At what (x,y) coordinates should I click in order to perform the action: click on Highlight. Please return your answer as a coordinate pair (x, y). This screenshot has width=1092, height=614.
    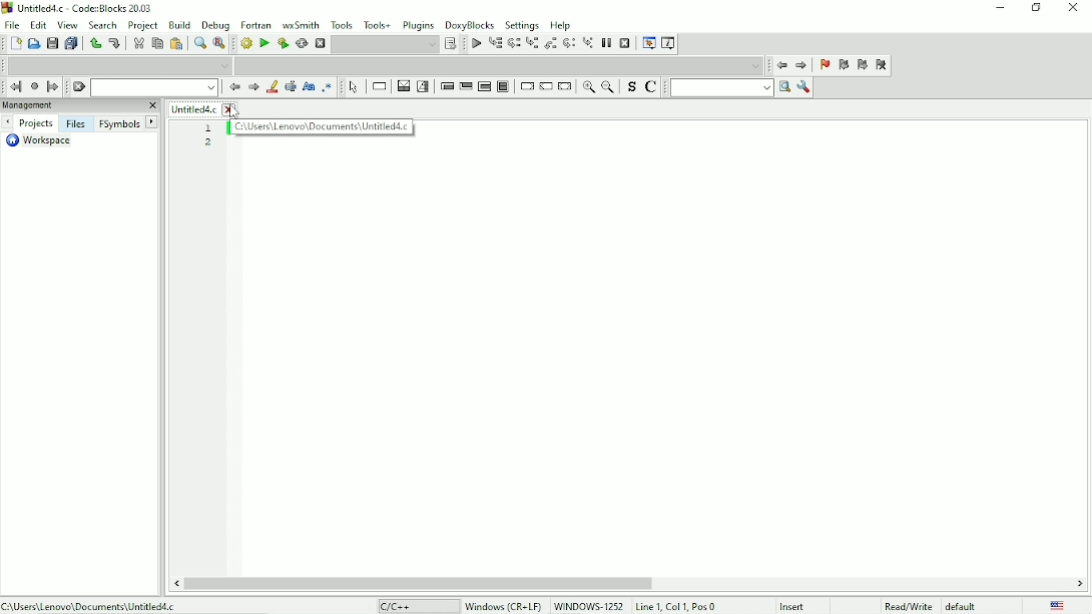
    Looking at the image, I should click on (272, 87).